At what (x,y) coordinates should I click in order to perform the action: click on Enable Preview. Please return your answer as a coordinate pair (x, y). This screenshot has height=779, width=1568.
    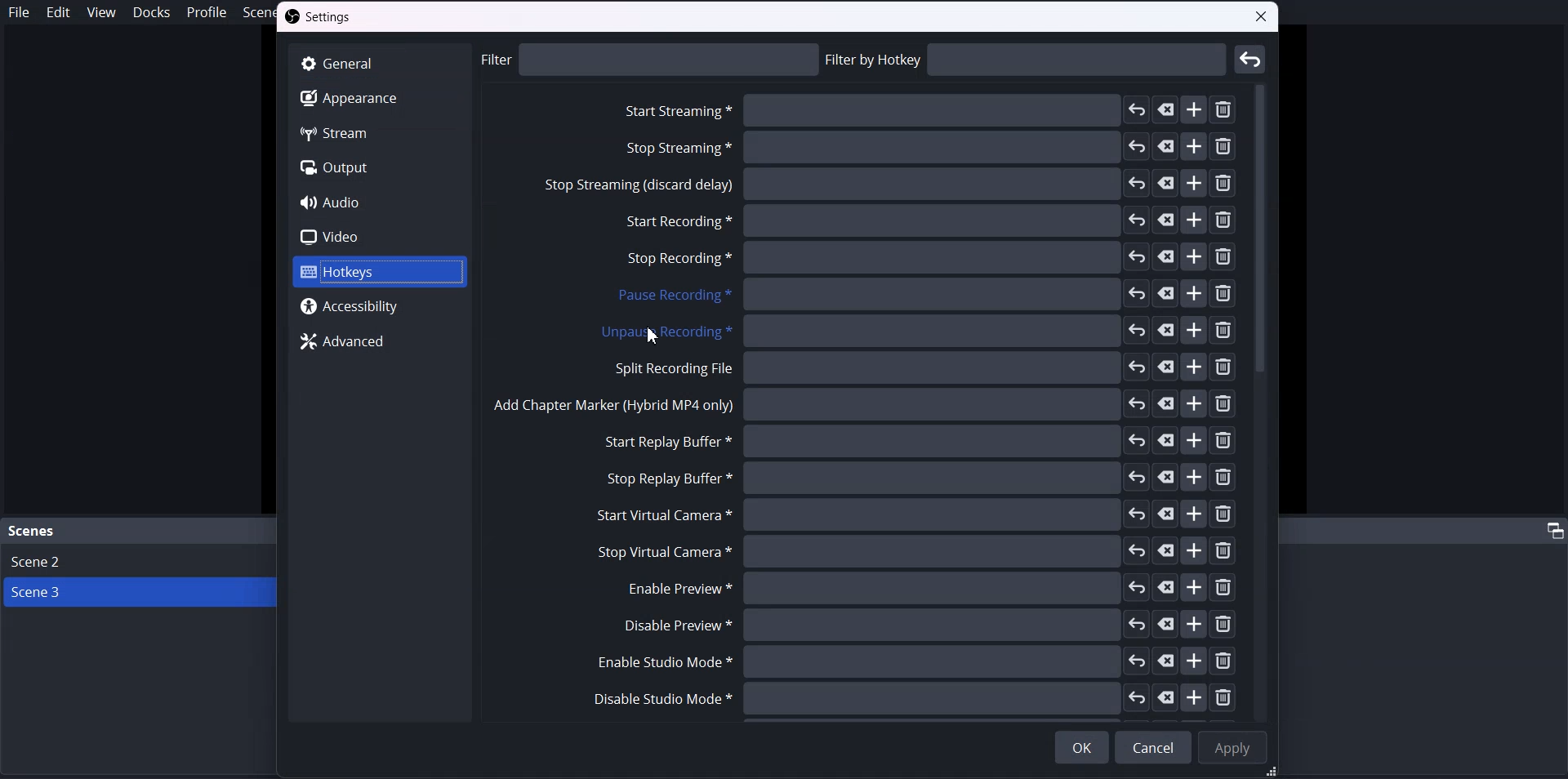
    Looking at the image, I should click on (927, 587).